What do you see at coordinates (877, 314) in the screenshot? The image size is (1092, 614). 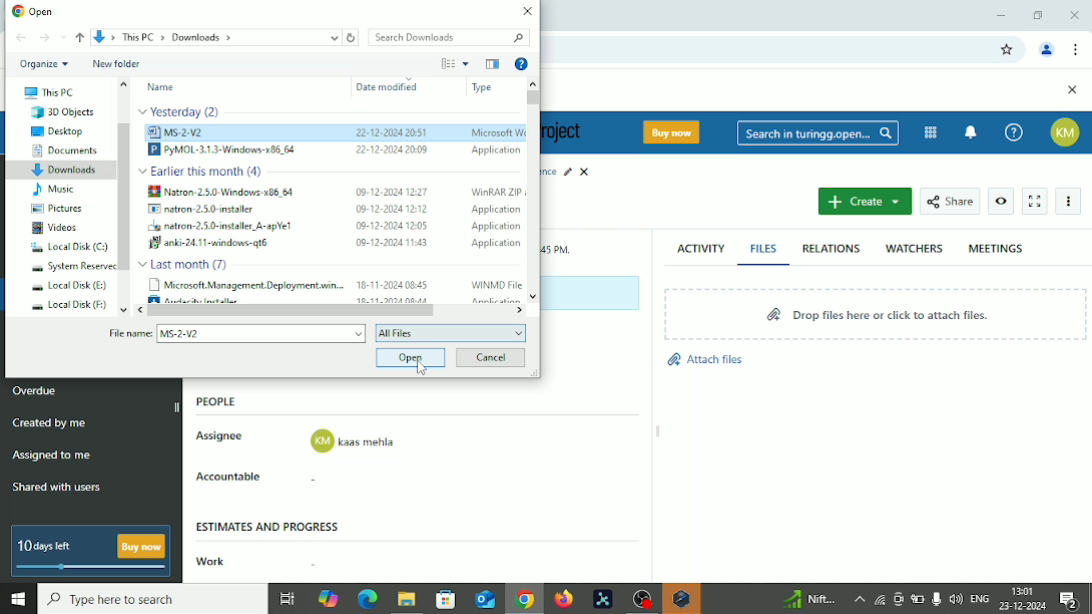 I see `Drop files here or click to attach files` at bounding box center [877, 314].